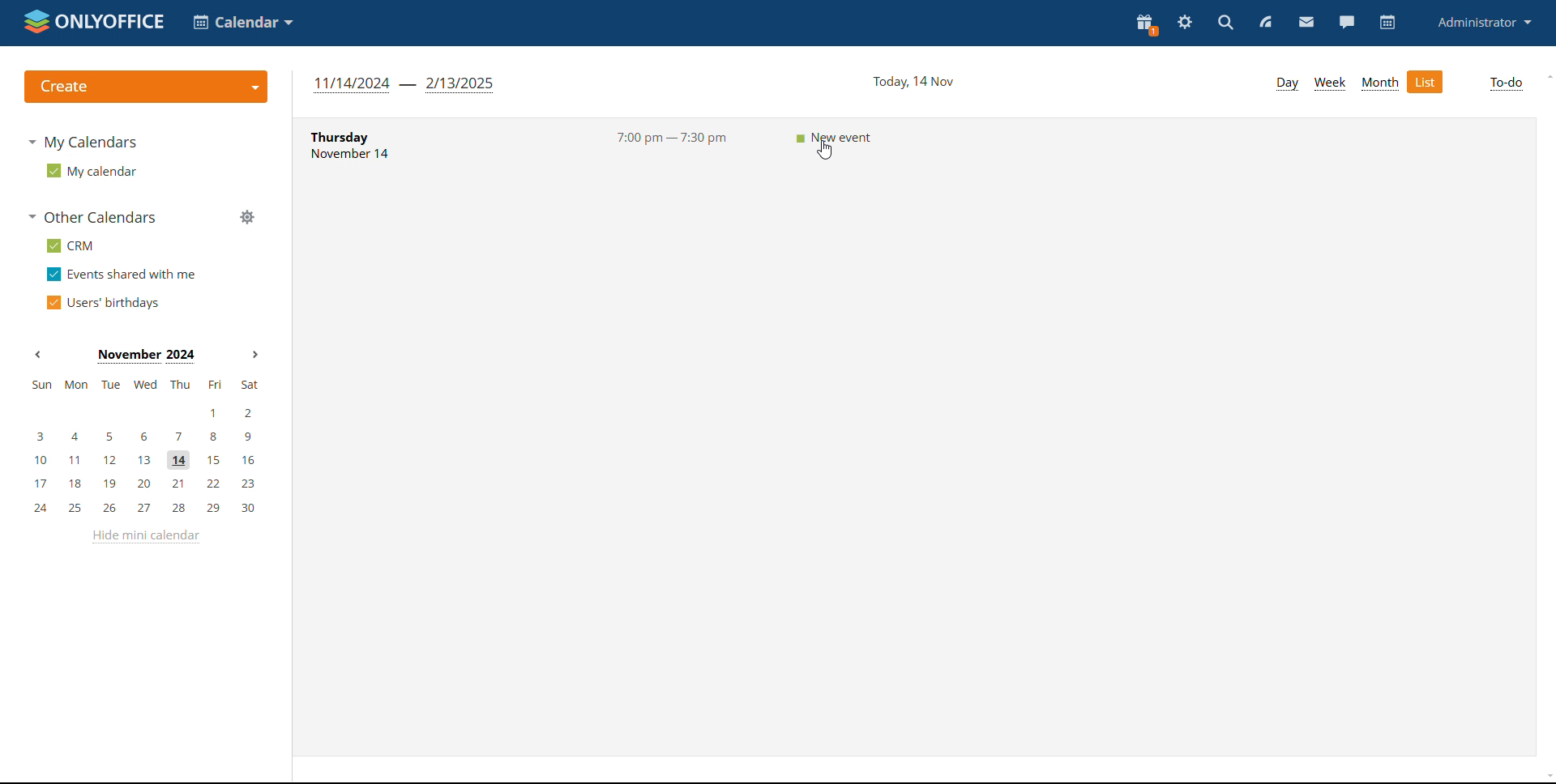  What do you see at coordinates (91, 217) in the screenshot?
I see `other calendars` at bounding box center [91, 217].